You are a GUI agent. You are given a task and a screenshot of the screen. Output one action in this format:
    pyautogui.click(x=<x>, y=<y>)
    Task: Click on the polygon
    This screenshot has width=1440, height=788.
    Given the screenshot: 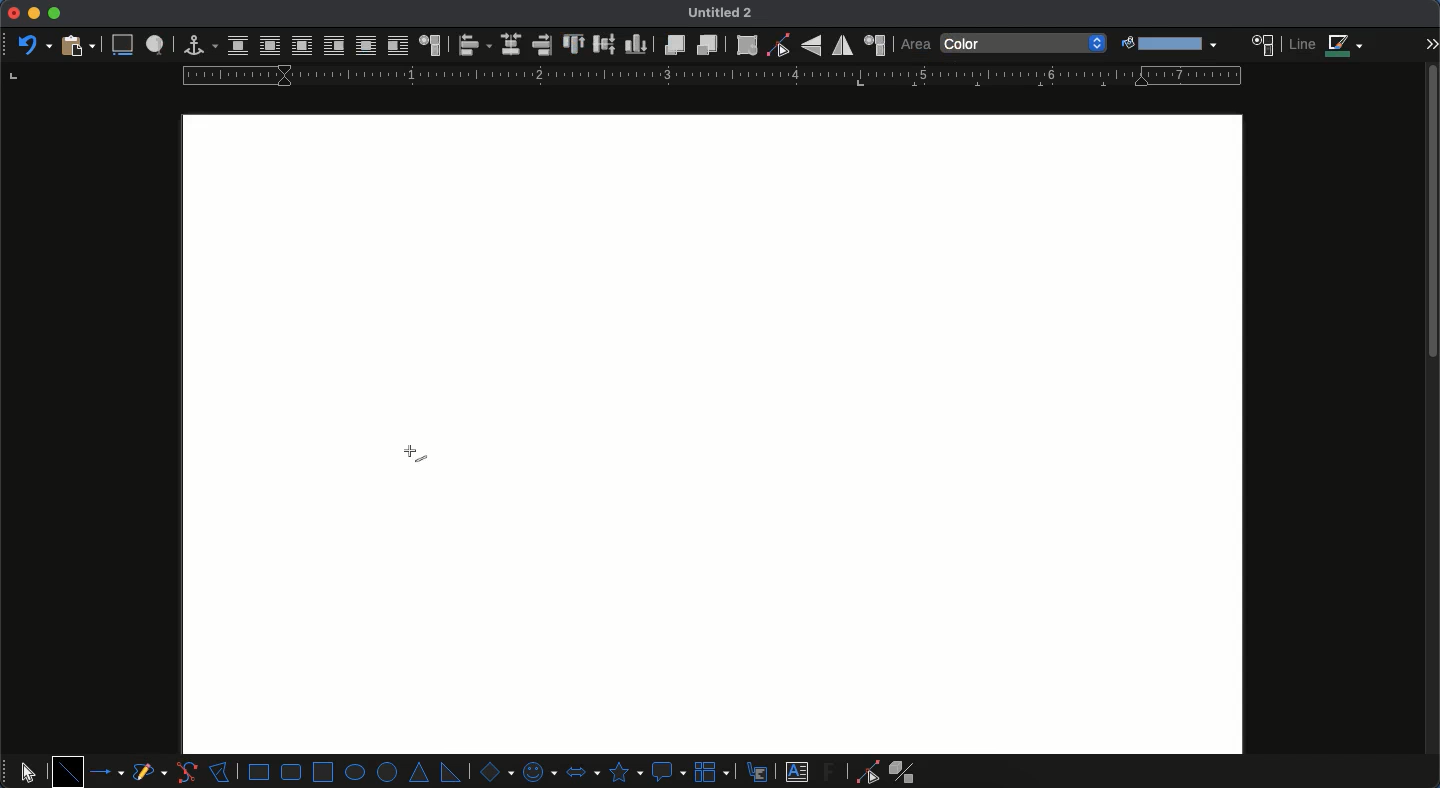 What is the action you would take?
    pyautogui.click(x=220, y=770)
    